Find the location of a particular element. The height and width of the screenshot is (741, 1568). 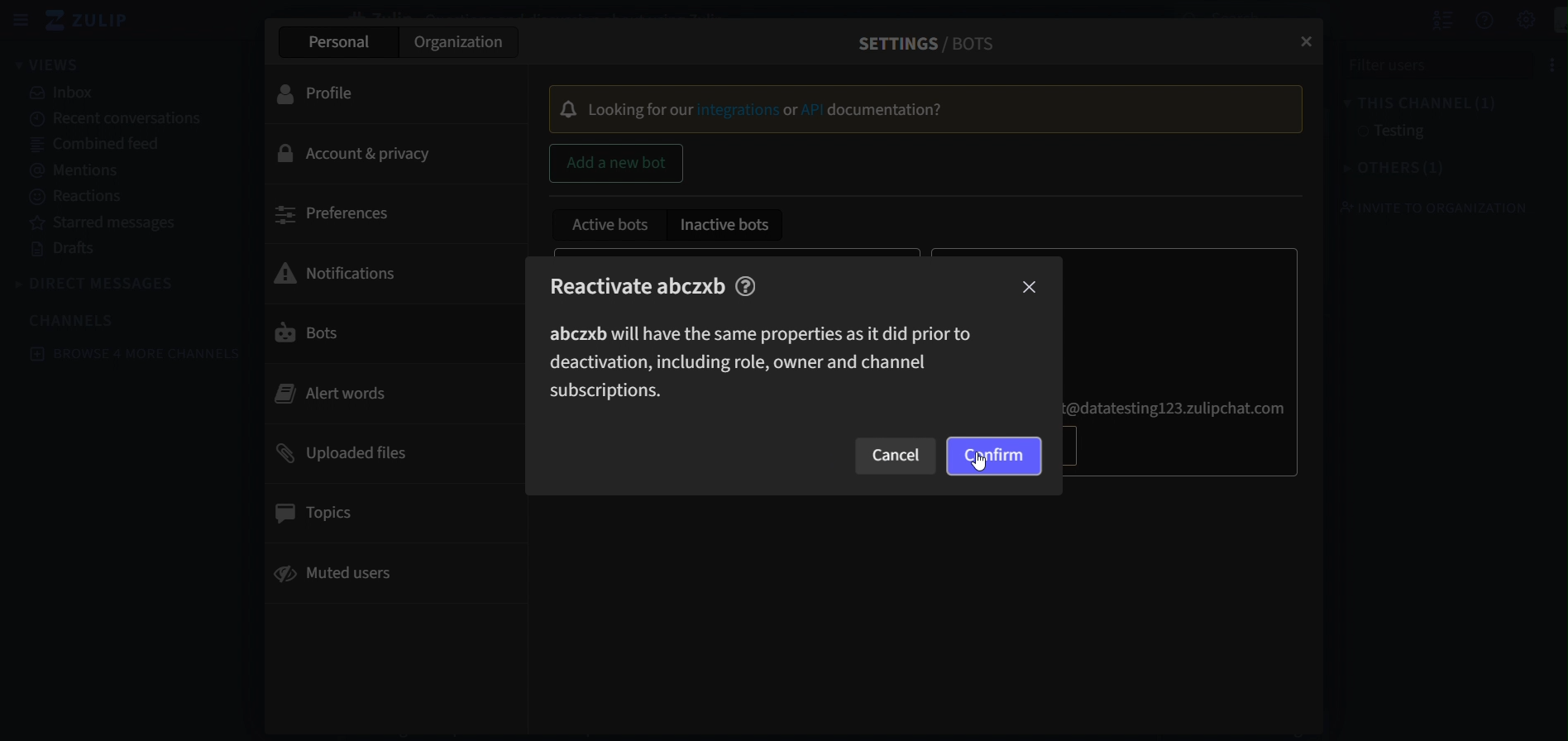

settings/bots is located at coordinates (928, 41).